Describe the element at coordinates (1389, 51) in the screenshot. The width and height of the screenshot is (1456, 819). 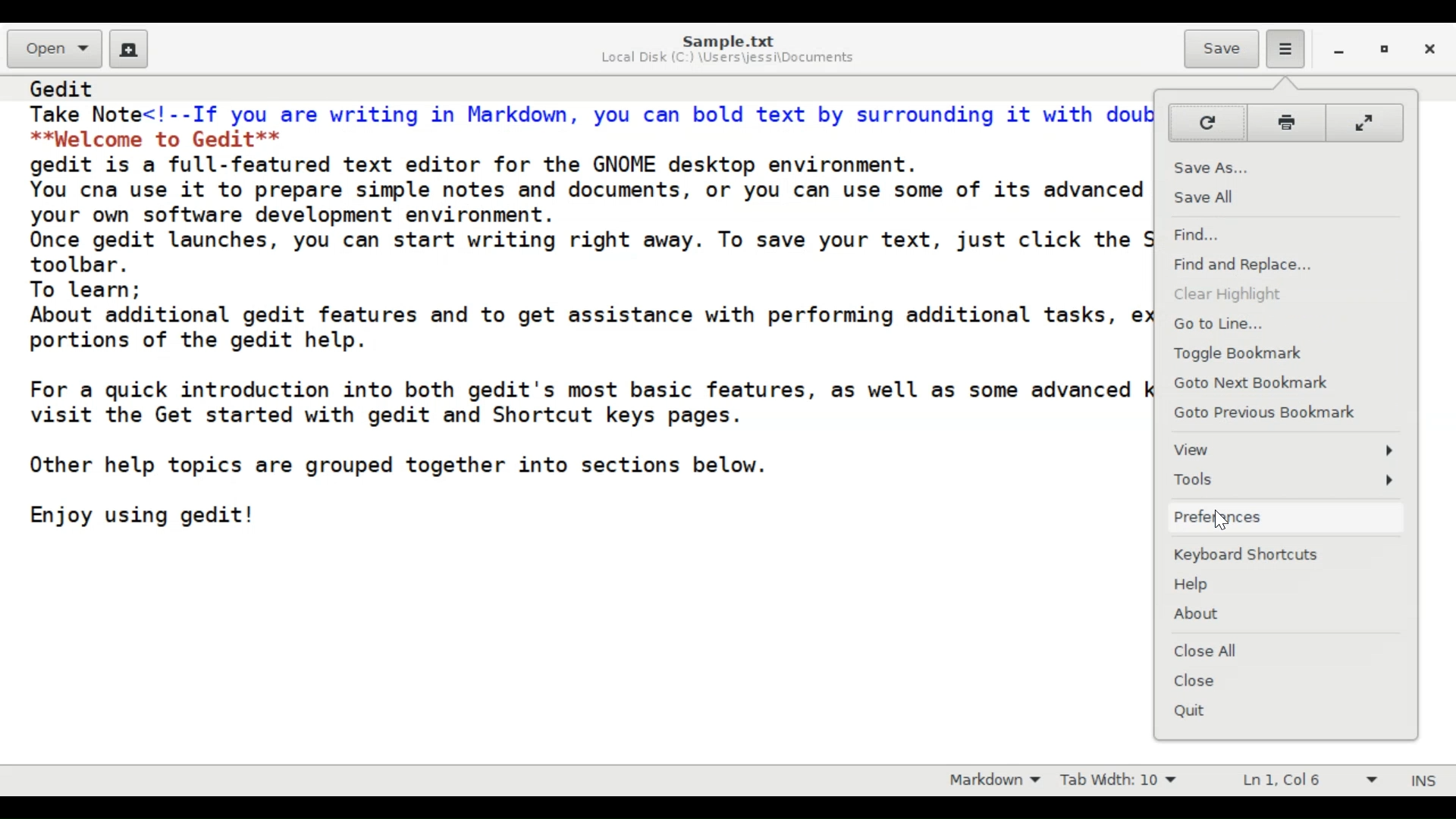
I see `restore` at that location.